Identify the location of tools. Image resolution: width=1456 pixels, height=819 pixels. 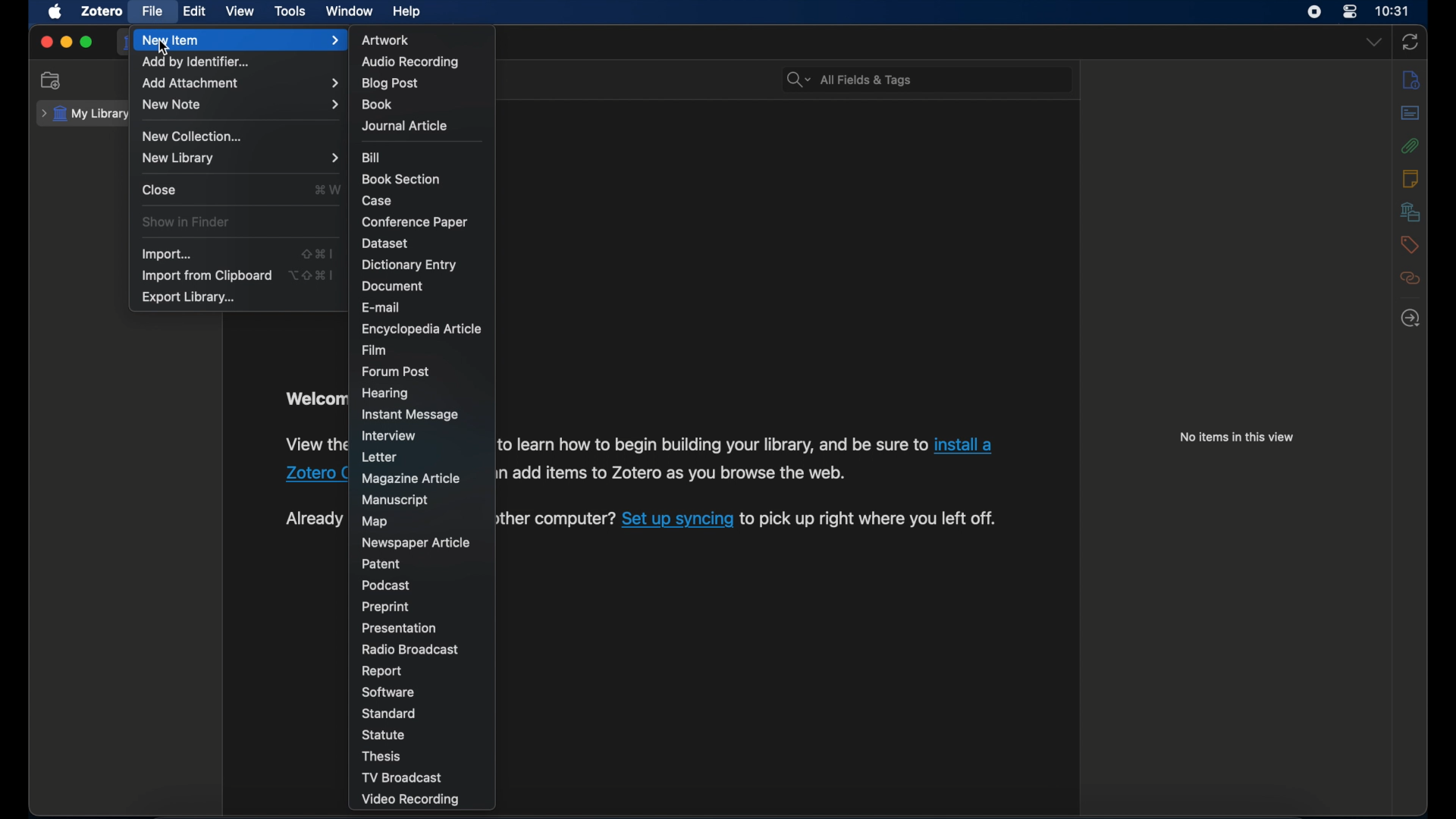
(290, 11).